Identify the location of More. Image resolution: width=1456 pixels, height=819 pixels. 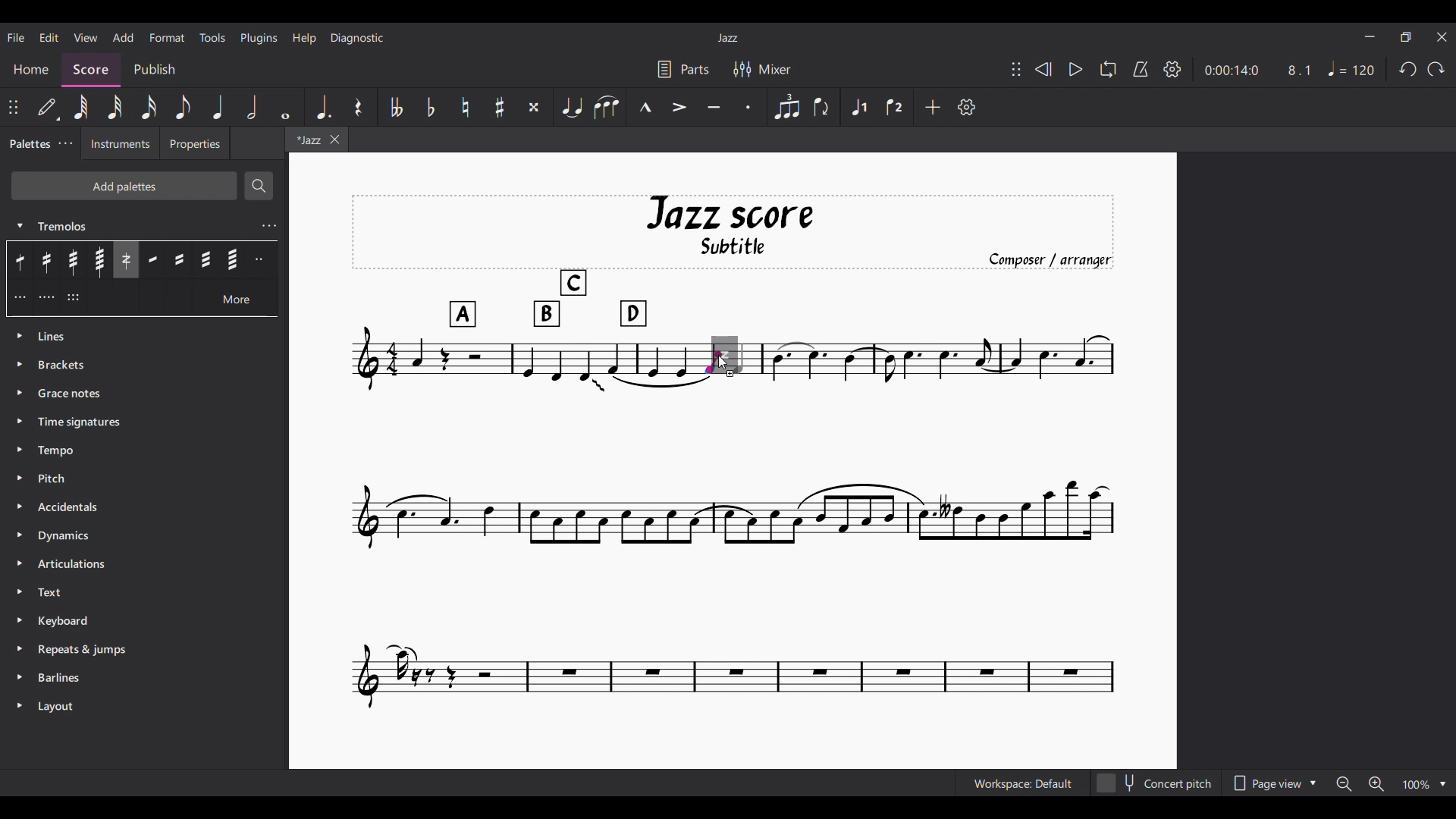
(237, 297).